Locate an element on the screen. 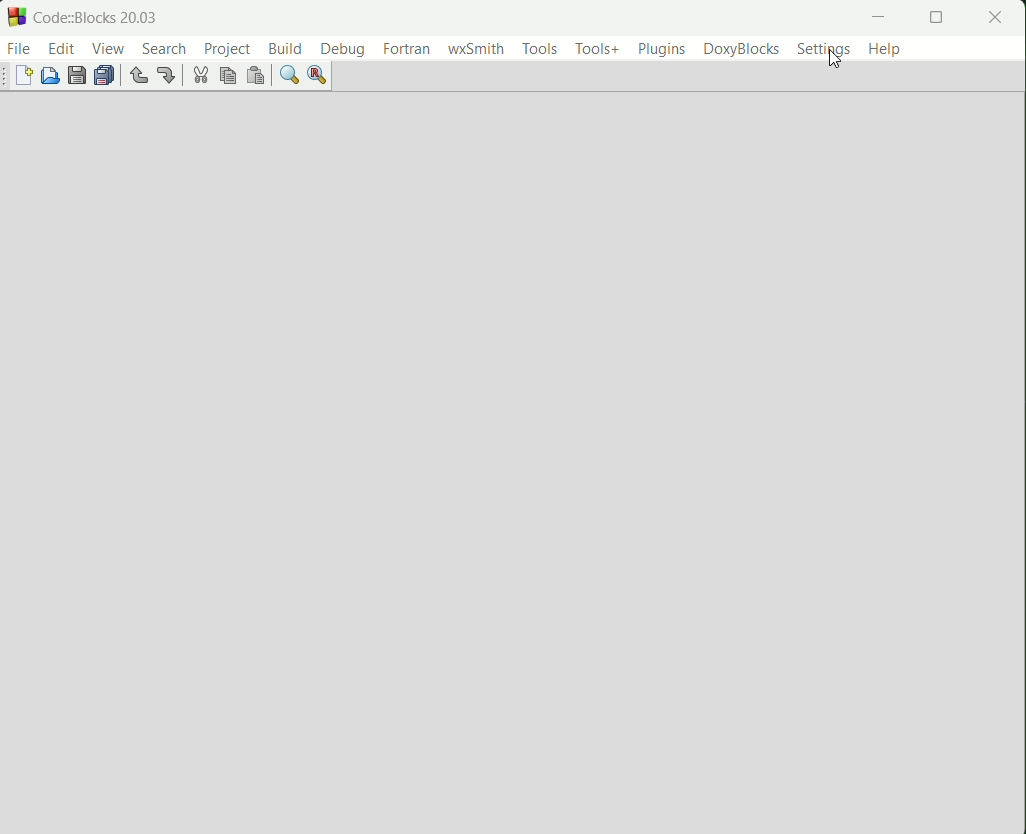 The width and height of the screenshot is (1026, 834). doxyblocks is located at coordinates (743, 50).